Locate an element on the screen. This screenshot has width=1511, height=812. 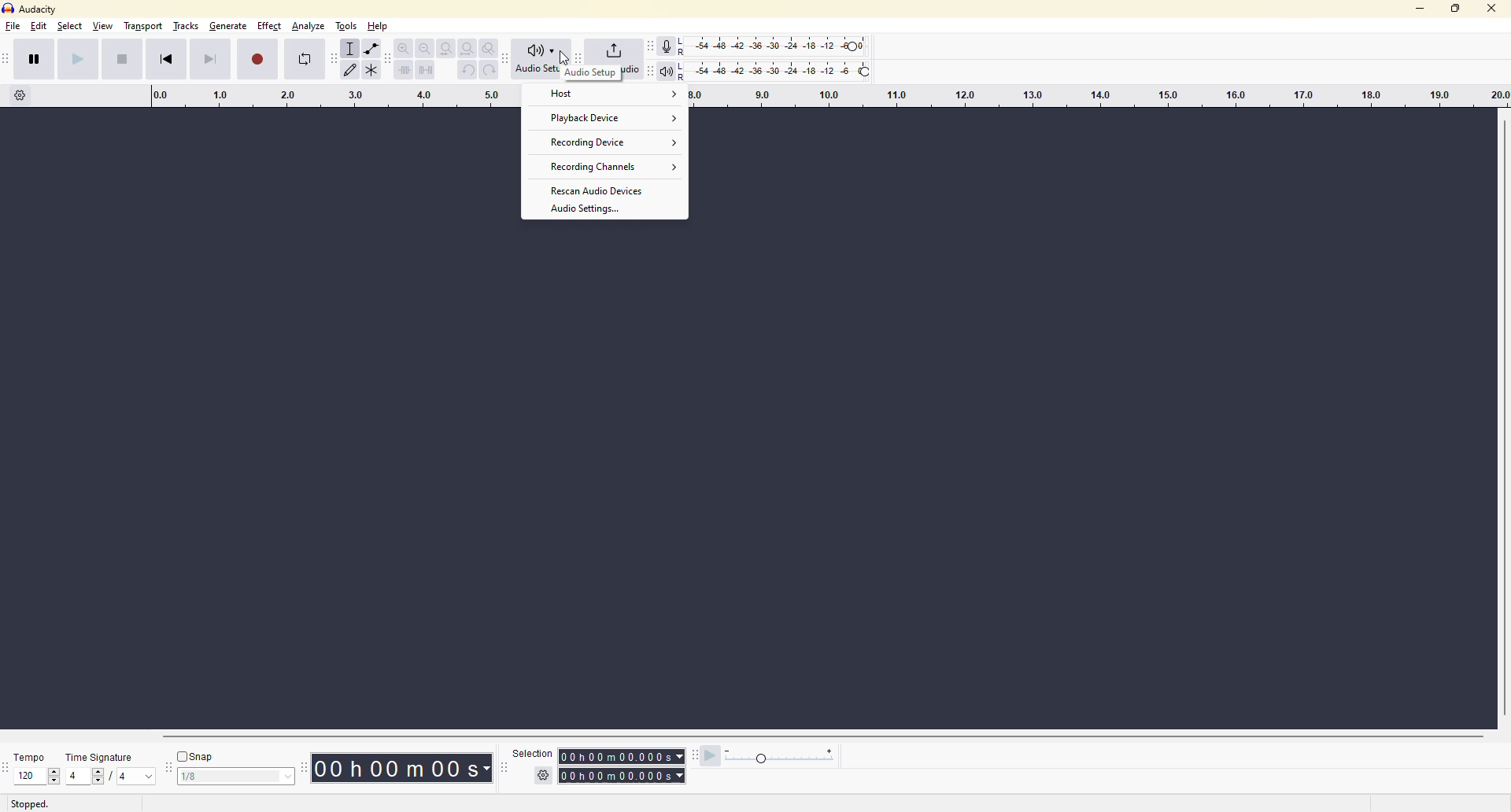
Cursor is located at coordinates (568, 60).